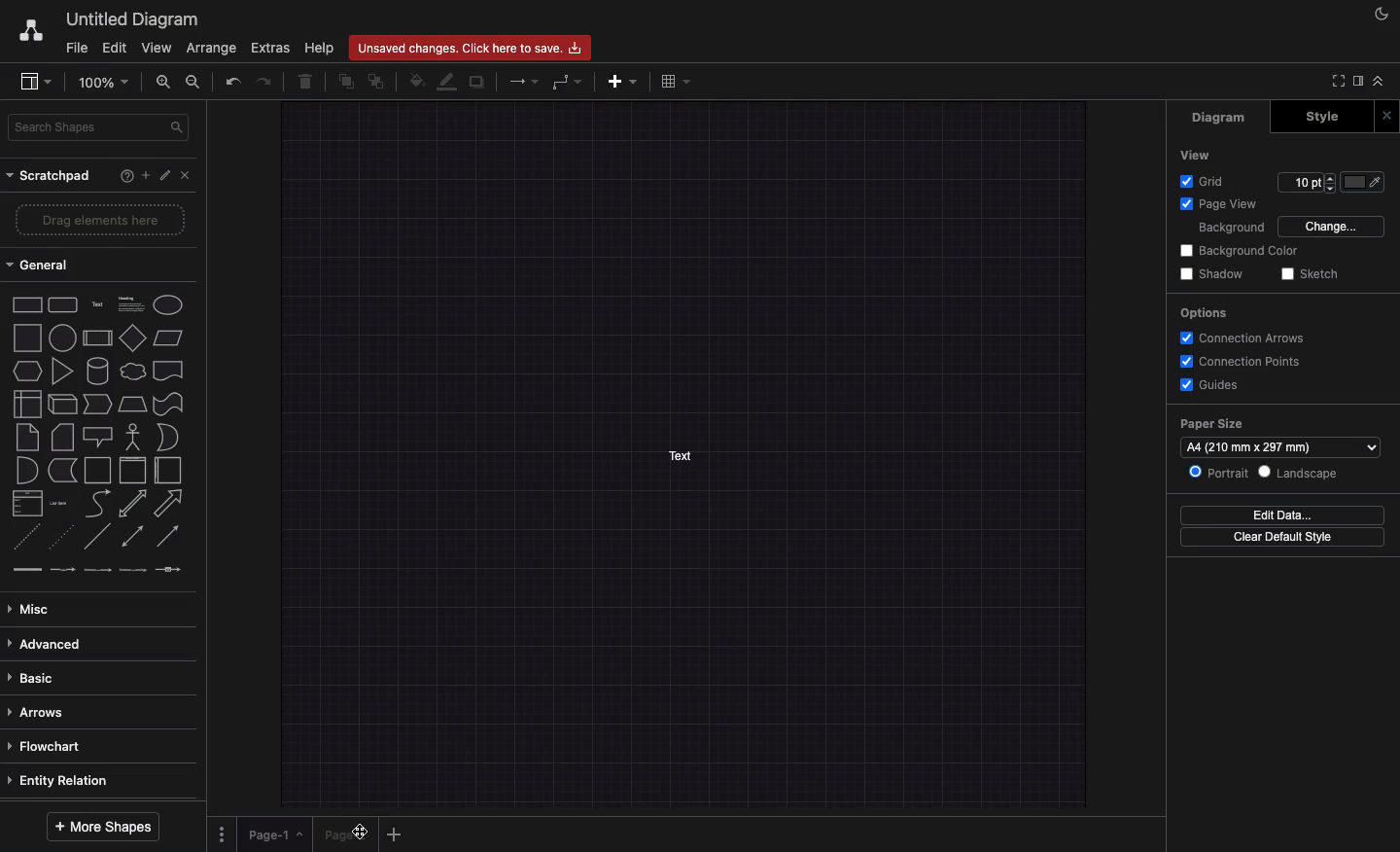 The width and height of the screenshot is (1400, 852). What do you see at coordinates (319, 47) in the screenshot?
I see `Help` at bounding box center [319, 47].